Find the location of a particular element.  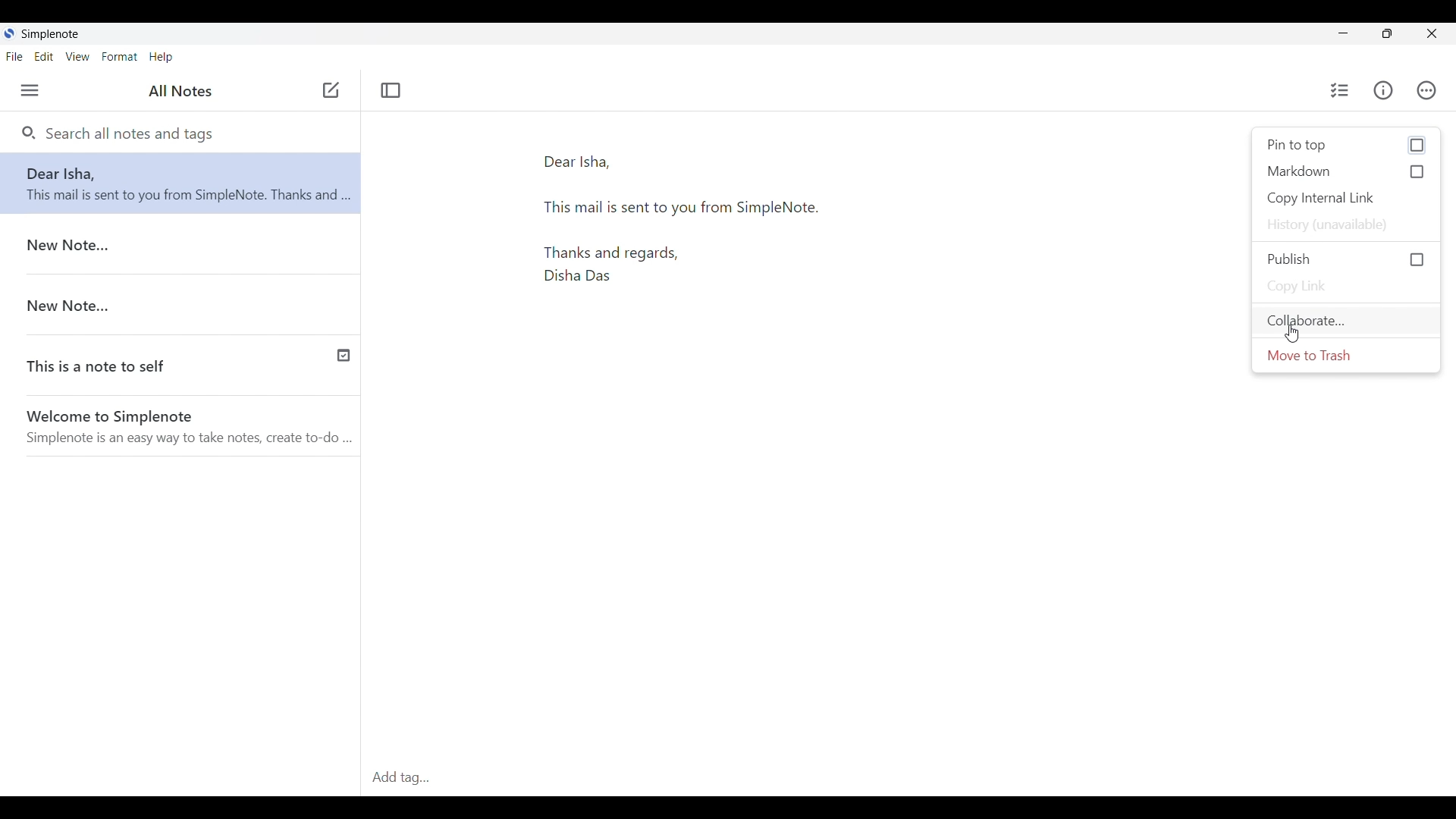

published is located at coordinates (341, 354).